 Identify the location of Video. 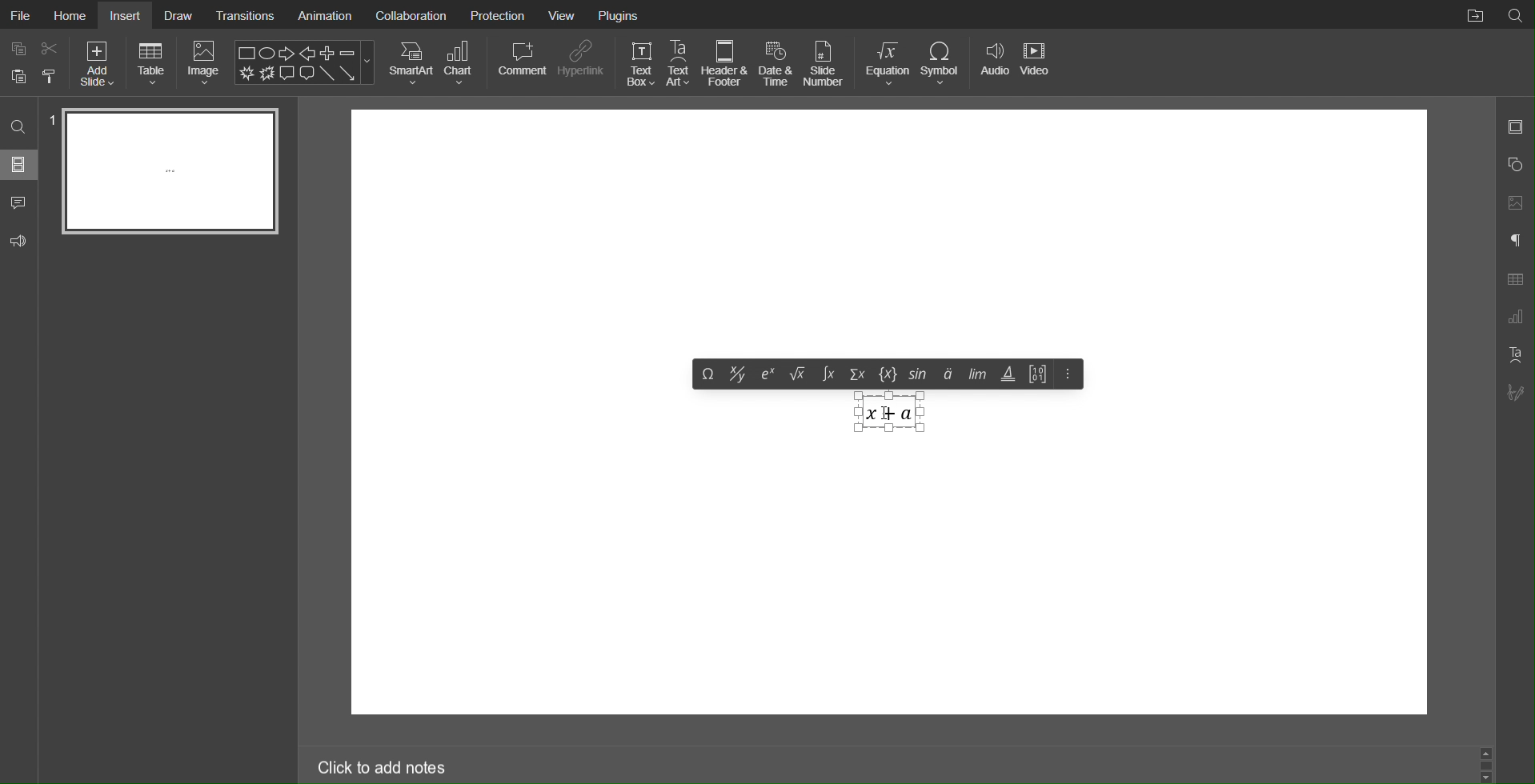
(1040, 62).